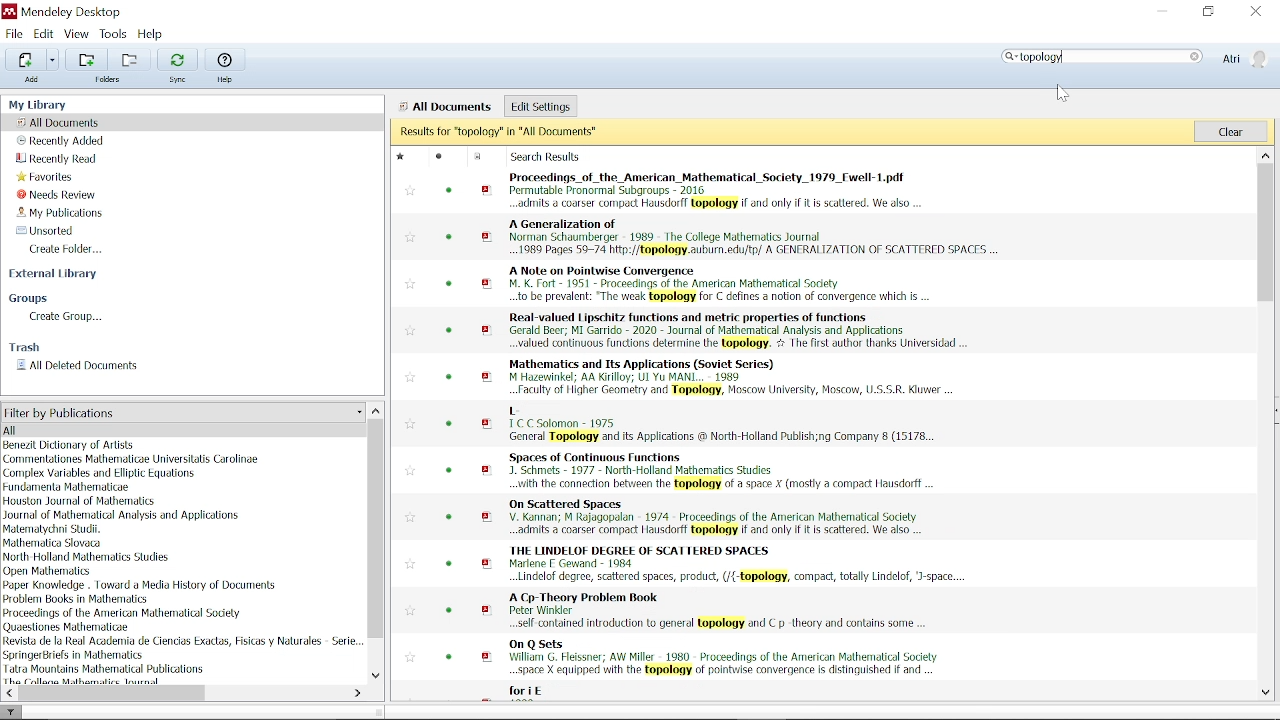  Describe the element at coordinates (56, 276) in the screenshot. I see `External Library` at that location.